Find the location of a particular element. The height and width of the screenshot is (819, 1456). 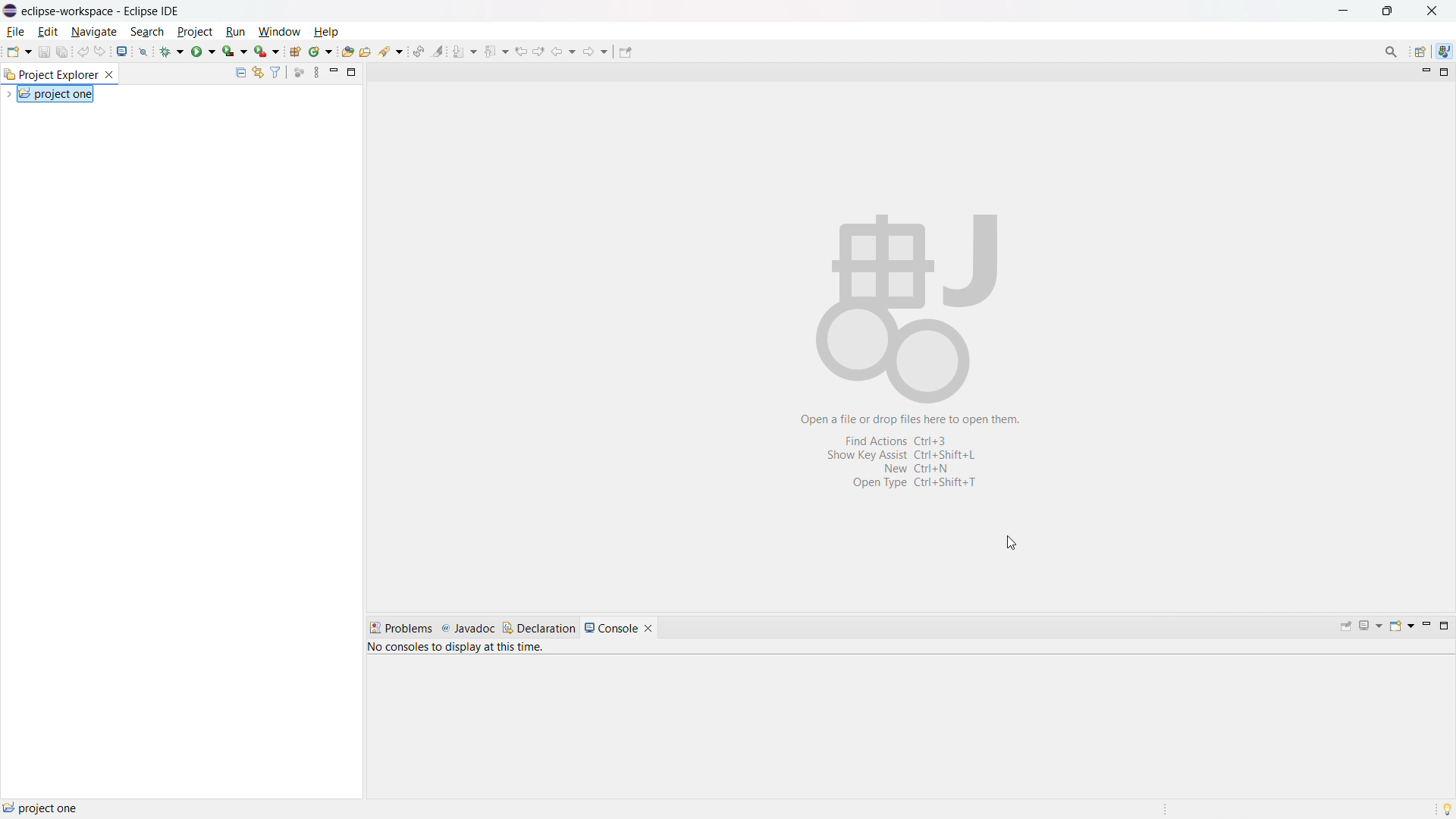

javadoc is located at coordinates (468, 629).